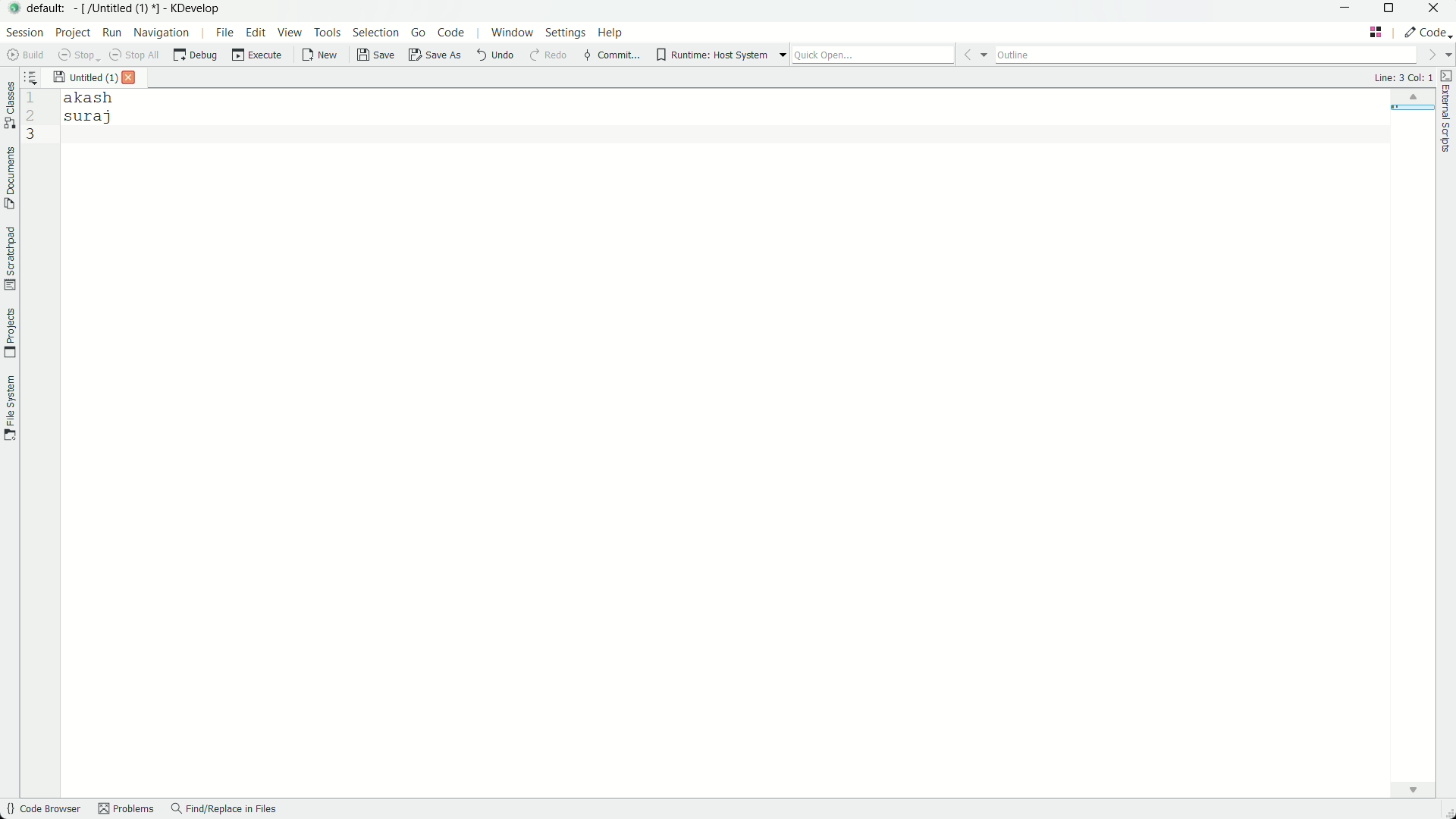 The image size is (1456, 819). Describe the element at coordinates (9, 178) in the screenshot. I see `documents` at that location.